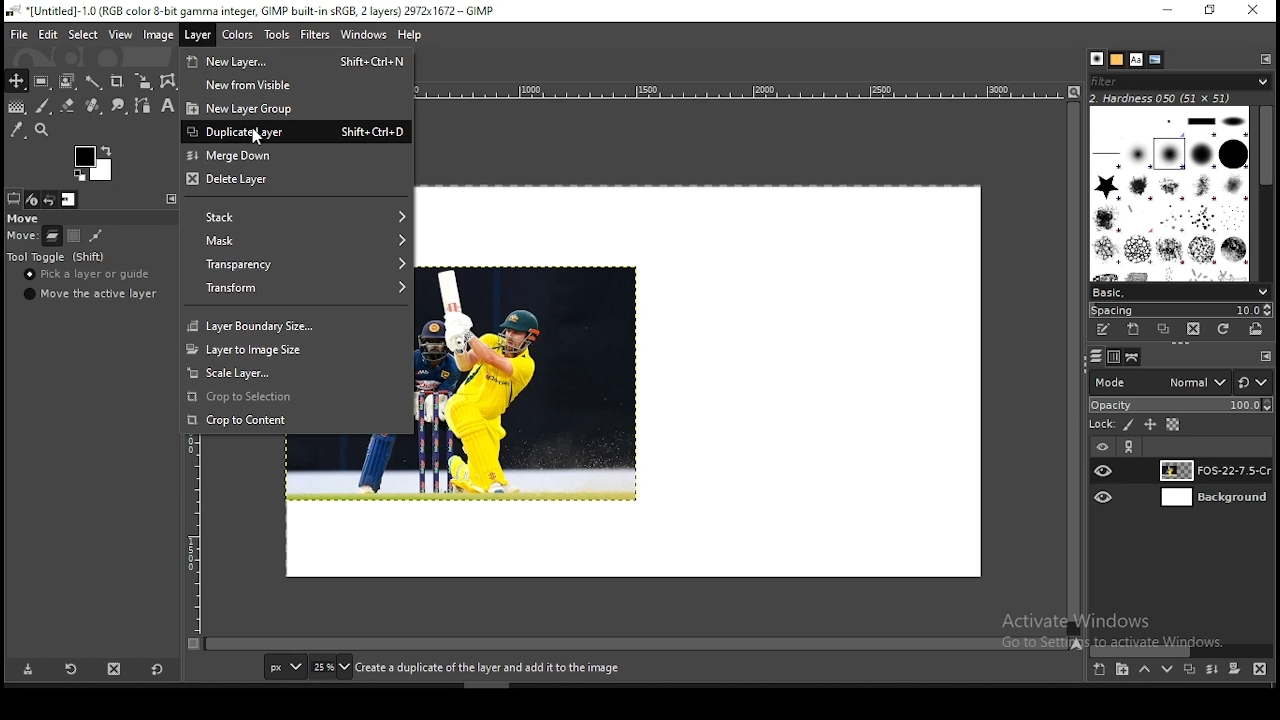 The image size is (1280, 720). I want to click on scale layer, so click(298, 373).